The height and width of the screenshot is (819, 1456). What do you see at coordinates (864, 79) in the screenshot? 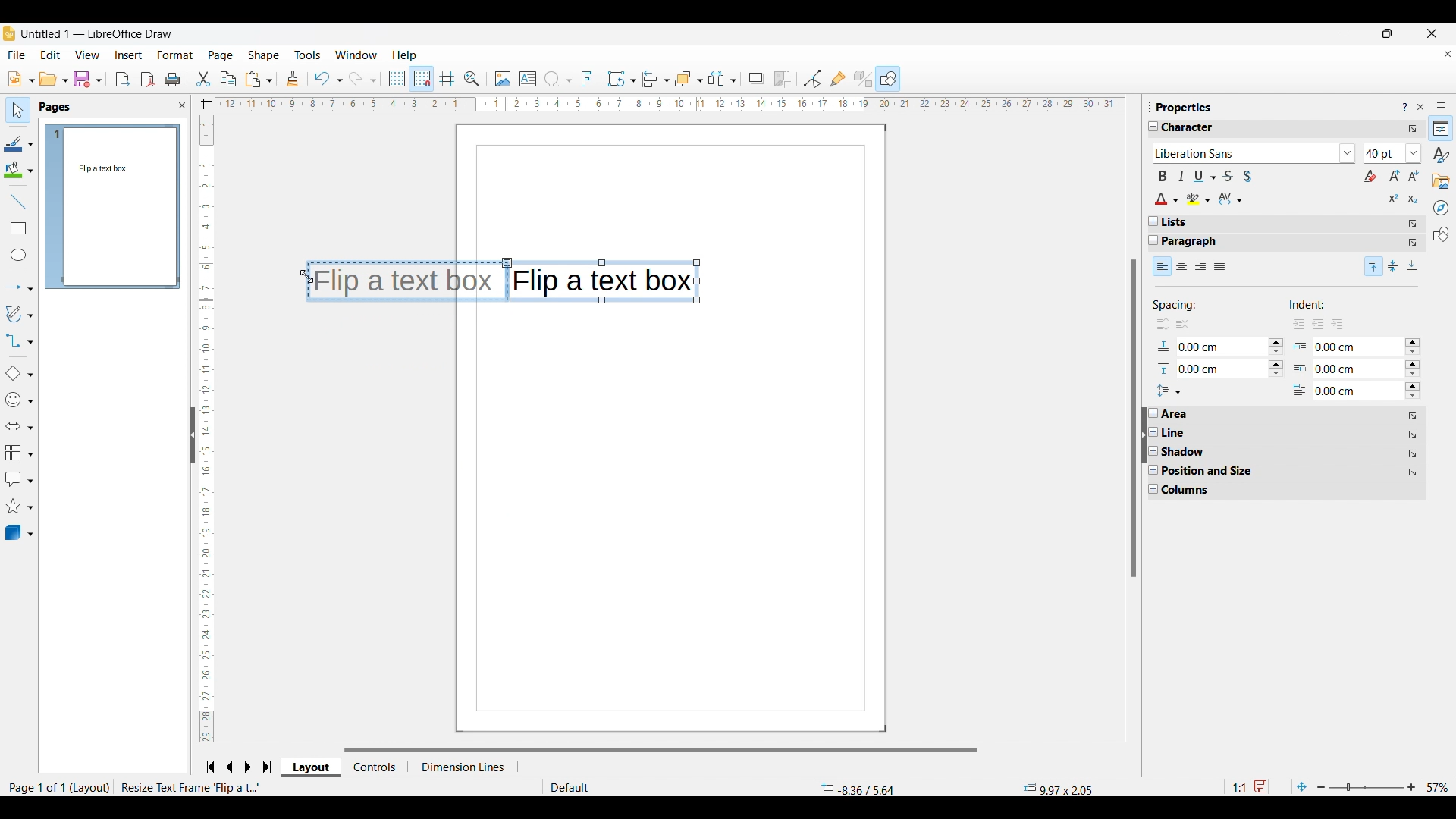
I see `Toggle extrusion` at bounding box center [864, 79].